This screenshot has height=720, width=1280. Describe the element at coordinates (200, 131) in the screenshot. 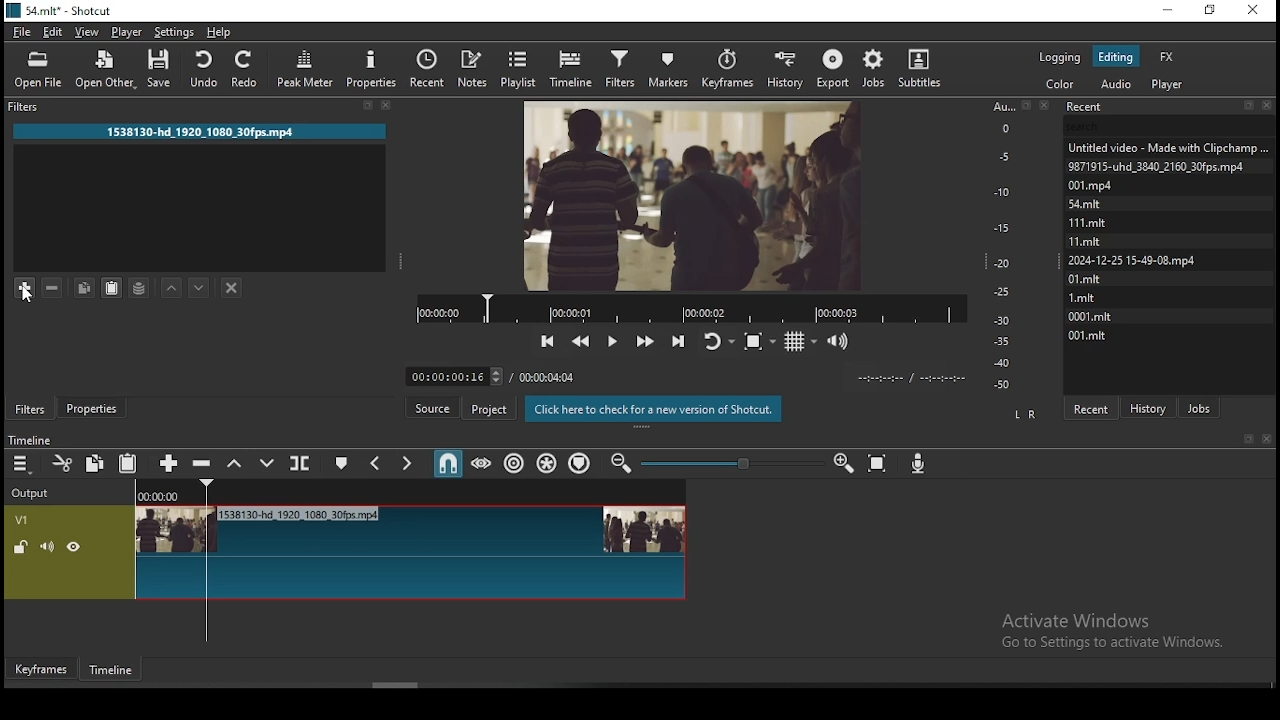

I see `1538130-hd 1920 1080 30fps.mpd` at that location.